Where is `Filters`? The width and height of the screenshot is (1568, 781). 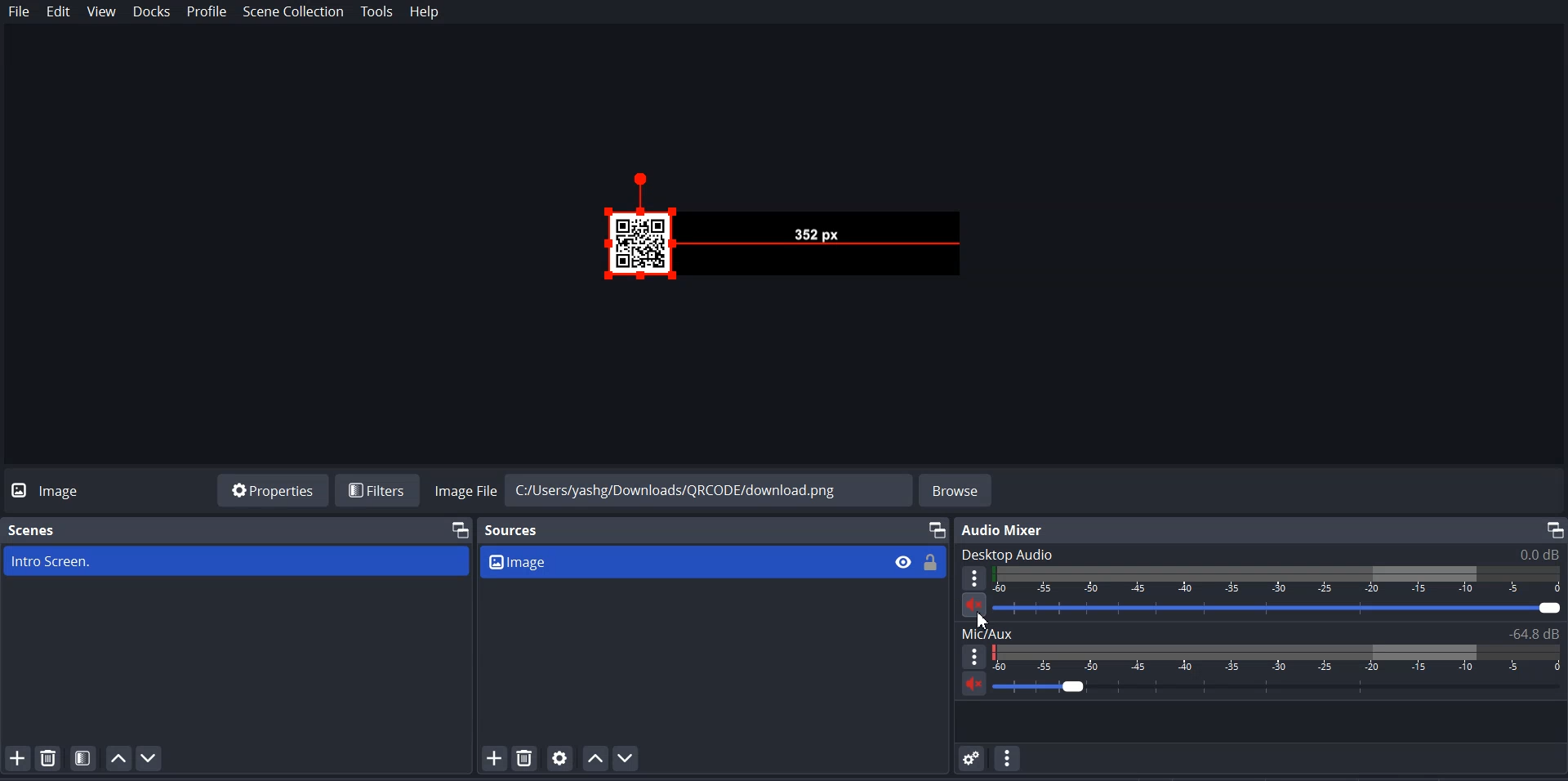
Filters is located at coordinates (380, 490).